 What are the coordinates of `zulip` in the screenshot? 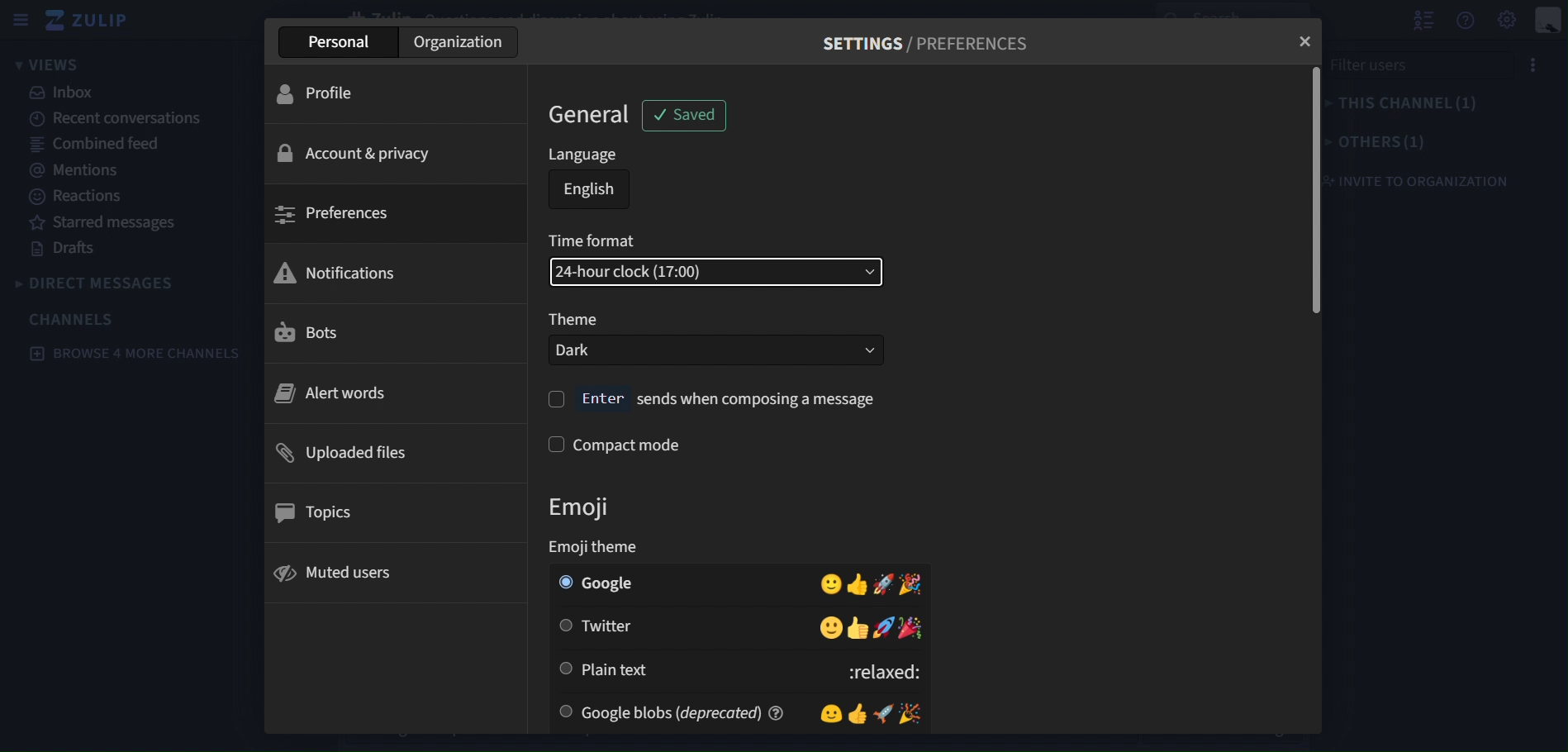 It's located at (89, 18).